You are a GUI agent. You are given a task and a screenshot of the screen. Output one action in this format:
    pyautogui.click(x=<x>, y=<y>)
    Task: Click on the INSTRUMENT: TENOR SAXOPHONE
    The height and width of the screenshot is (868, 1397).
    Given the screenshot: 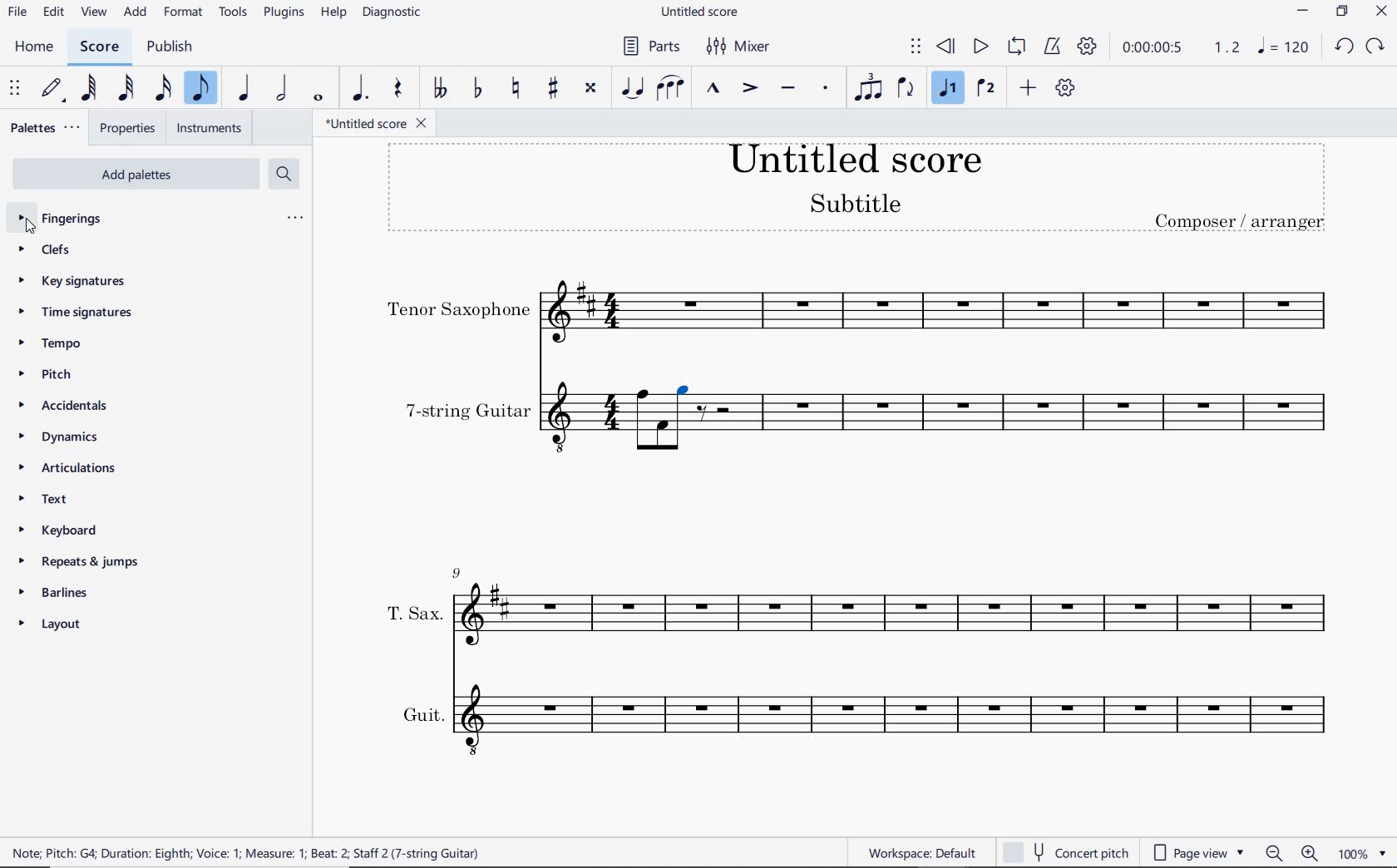 What is the action you would take?
    pyautogui.click(x=860, y=311)
    